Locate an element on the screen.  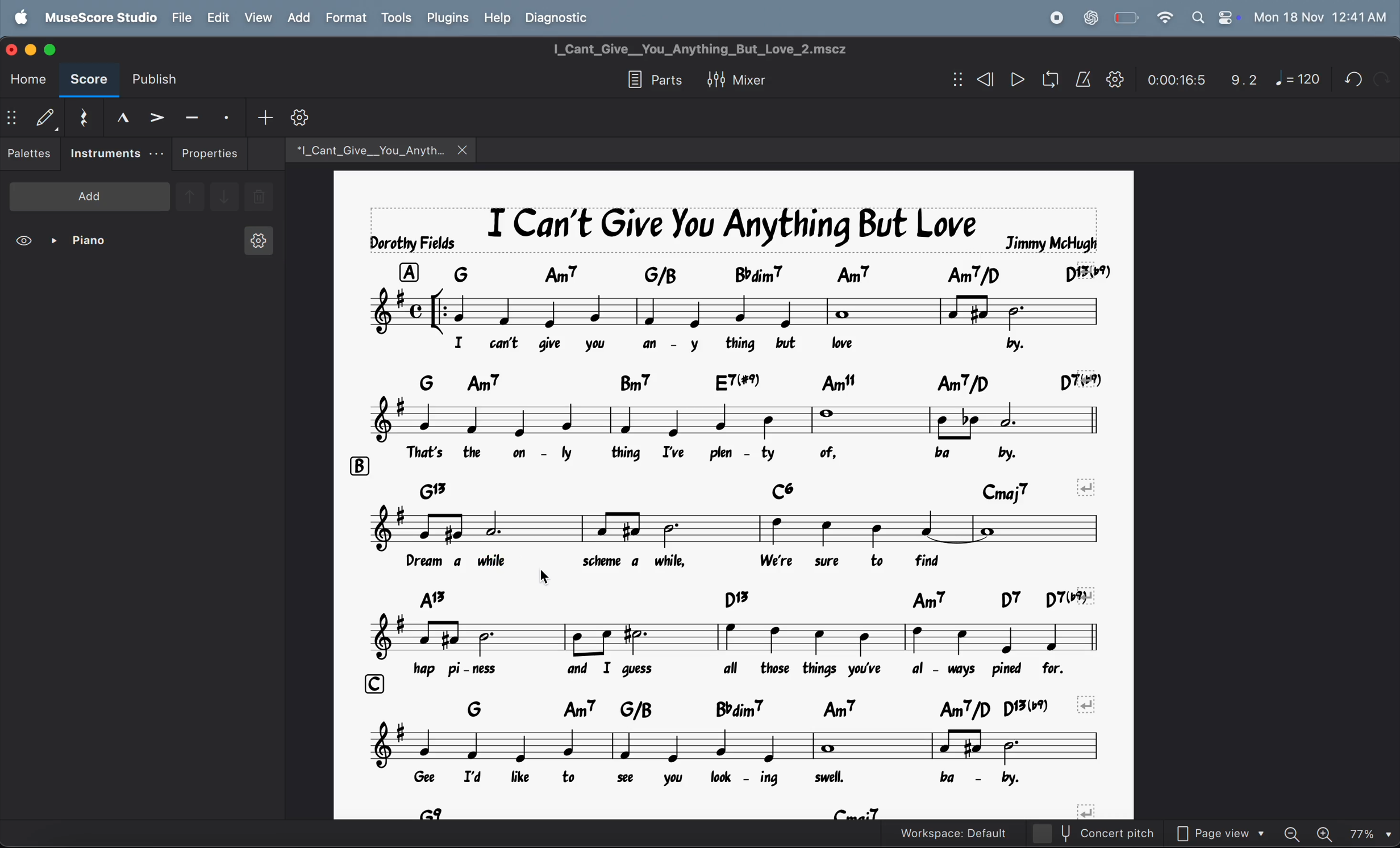
show/hide bar is located at coordinates (16, 117).